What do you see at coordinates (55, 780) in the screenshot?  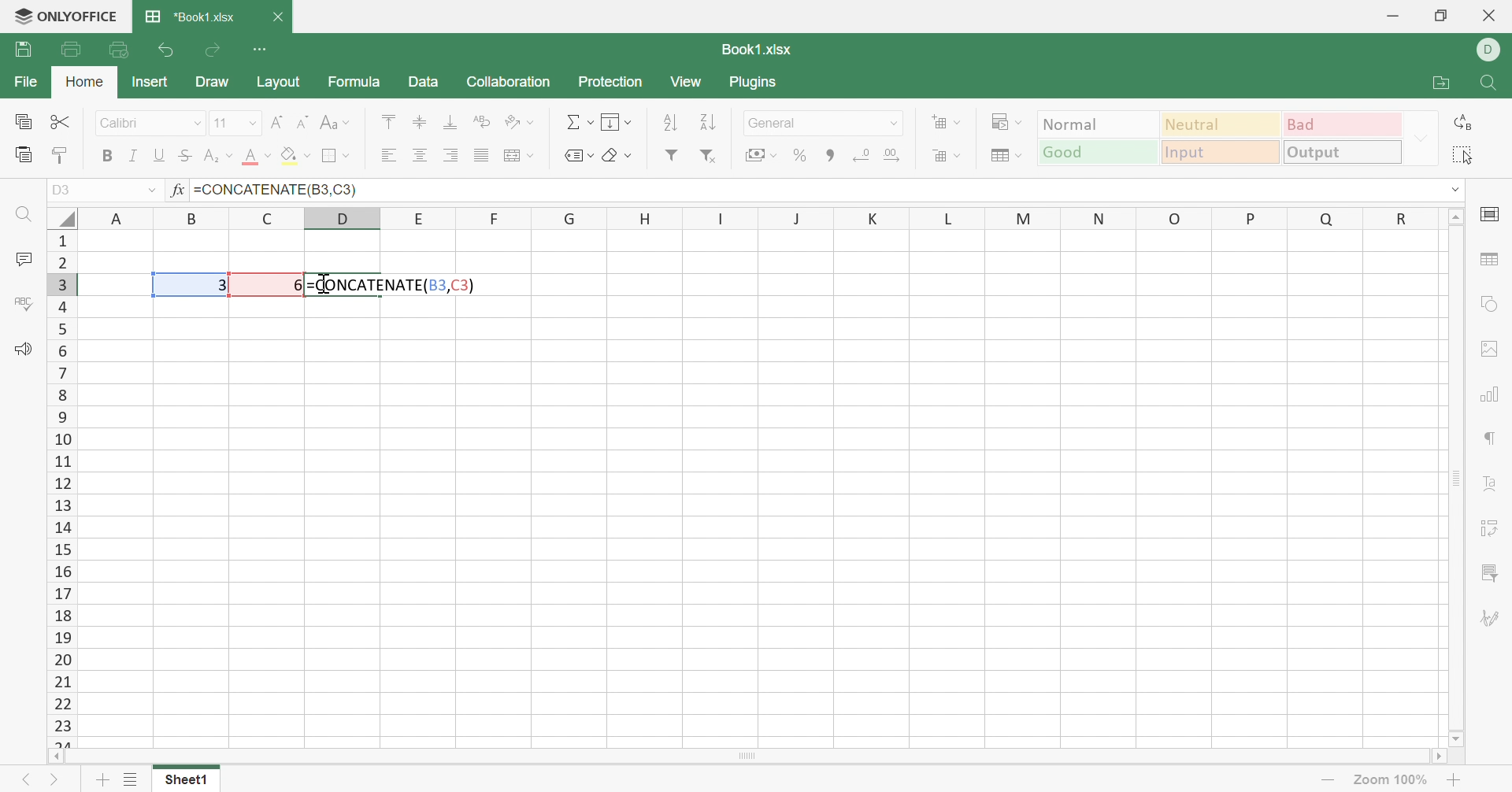 I see `Next` at bounding box center [55, 780].